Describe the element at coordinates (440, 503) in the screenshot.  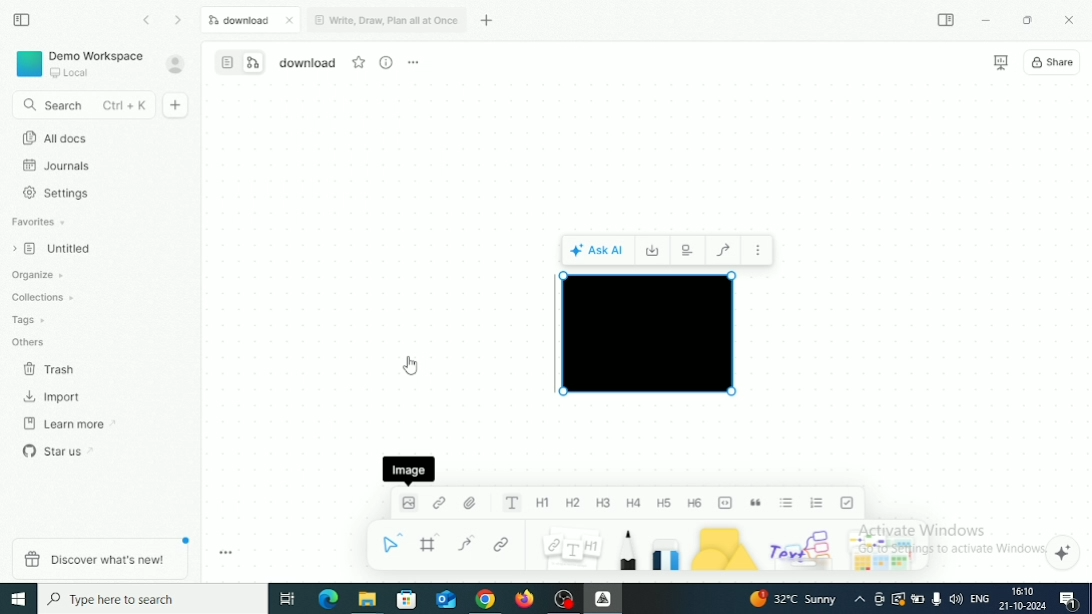
I see `Link` at that location.